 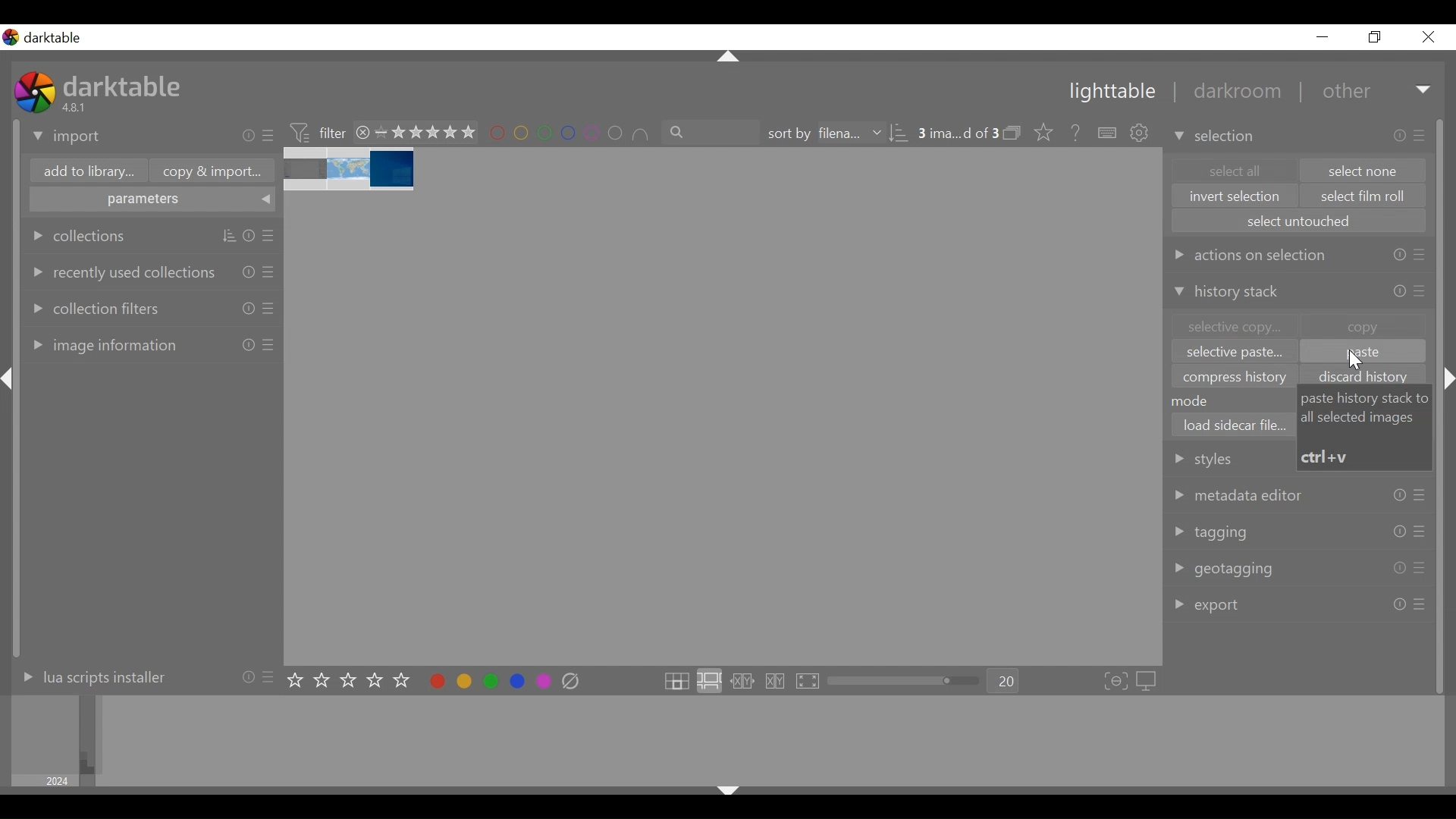 I want to click on presets, so click(x=270, y=308).